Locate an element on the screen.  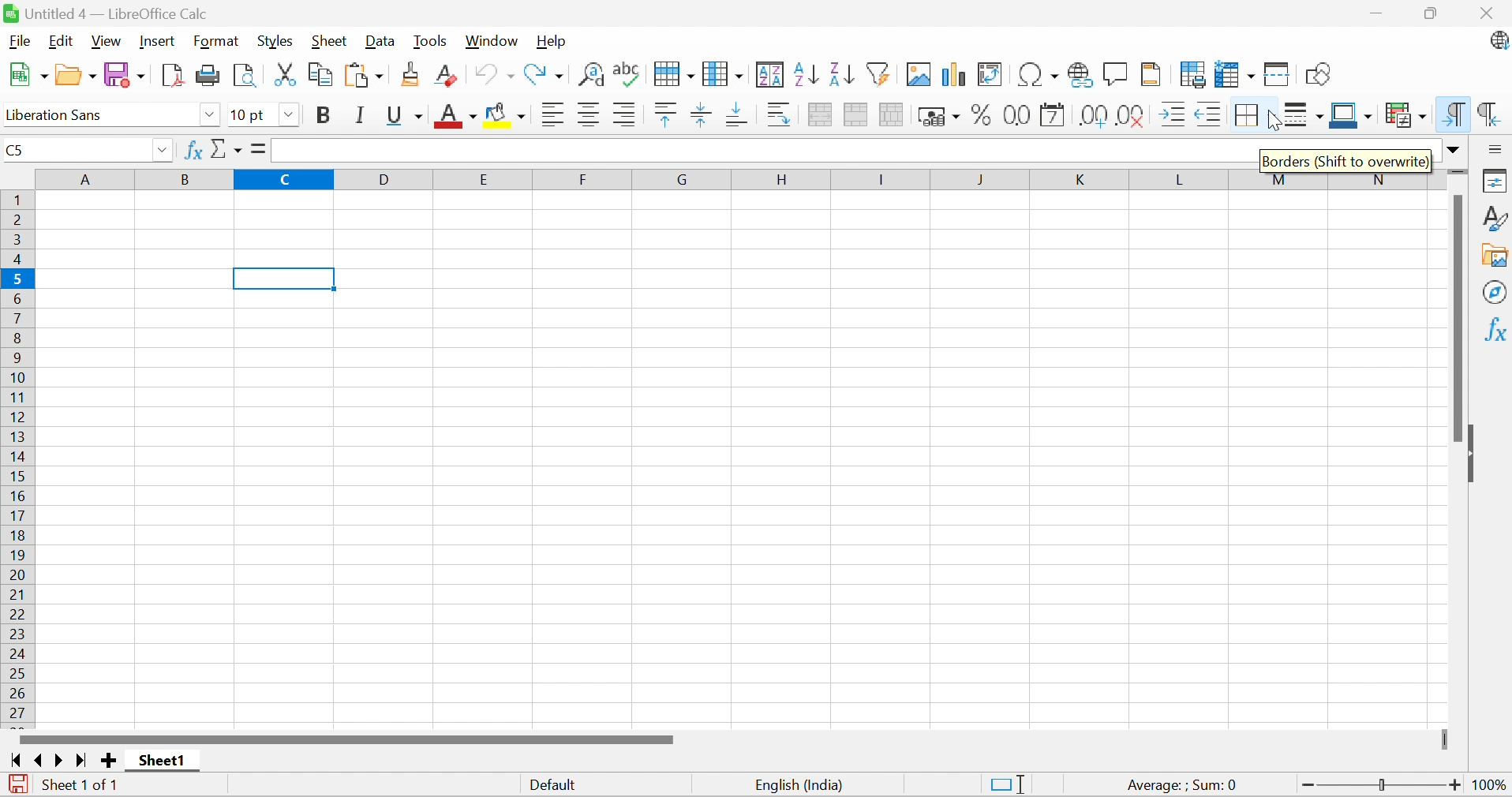
Center vertically is located at coordinates (699, 114).